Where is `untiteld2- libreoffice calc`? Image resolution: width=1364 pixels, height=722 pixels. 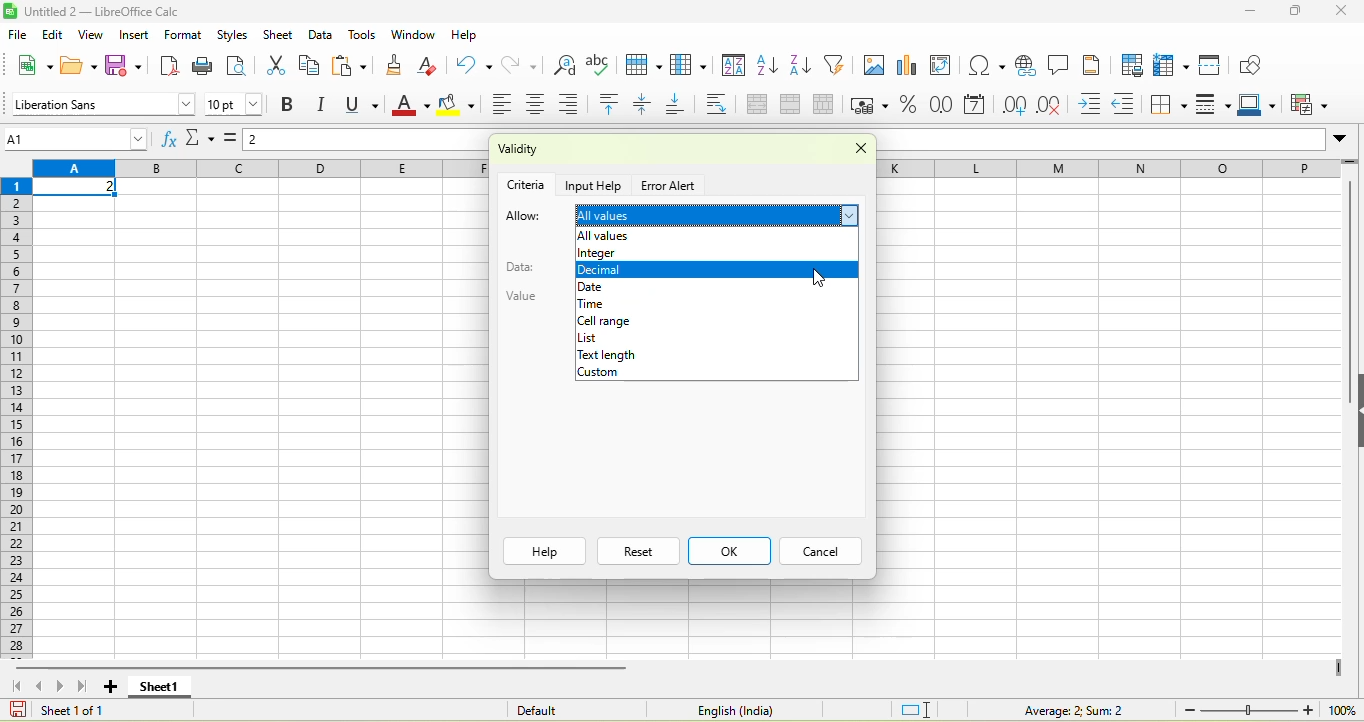 untiteld2- libreoffice calc is located at coordinates (115, 11).